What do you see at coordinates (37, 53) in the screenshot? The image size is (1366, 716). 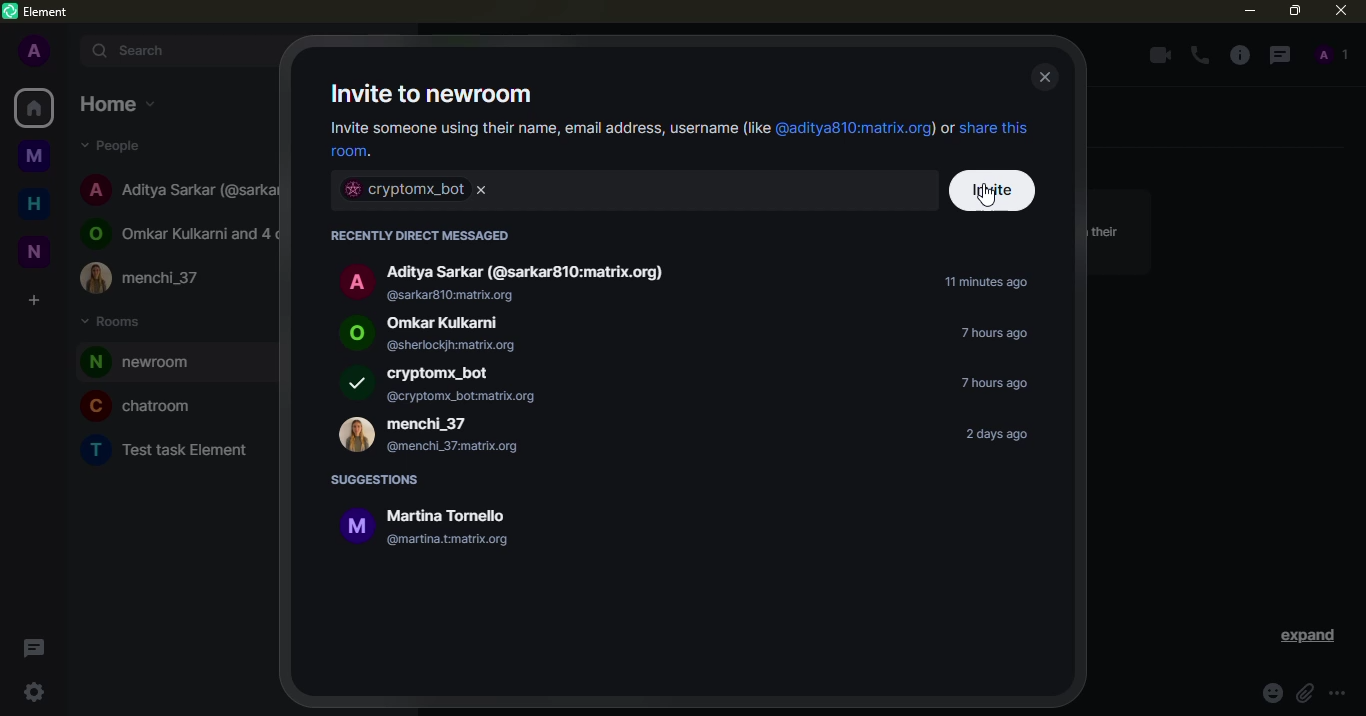 I see `profile` at bounding box center [37, 53].